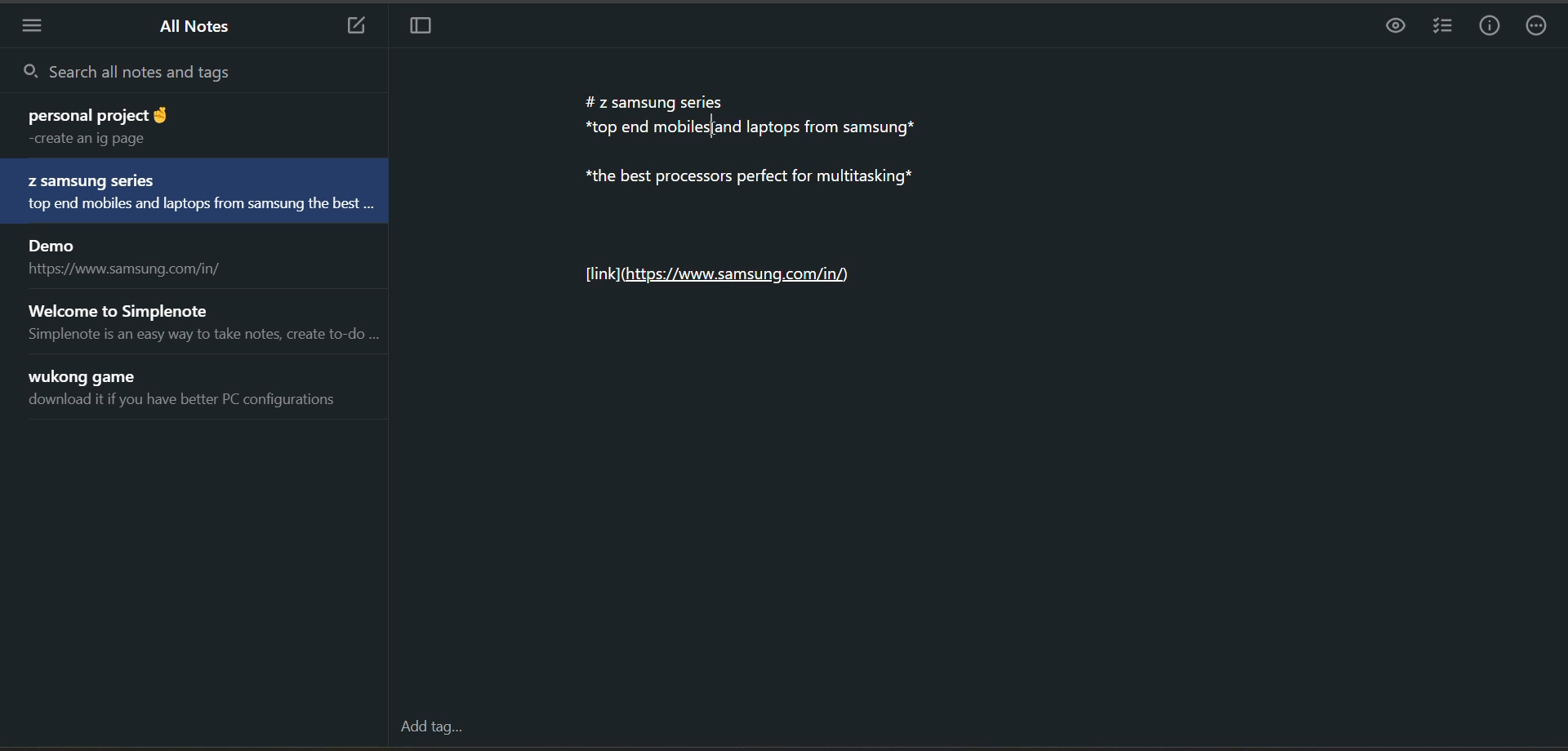 The width and height of the screenshot is (1568, 751). I want to click on add tag, so click(431, 727).